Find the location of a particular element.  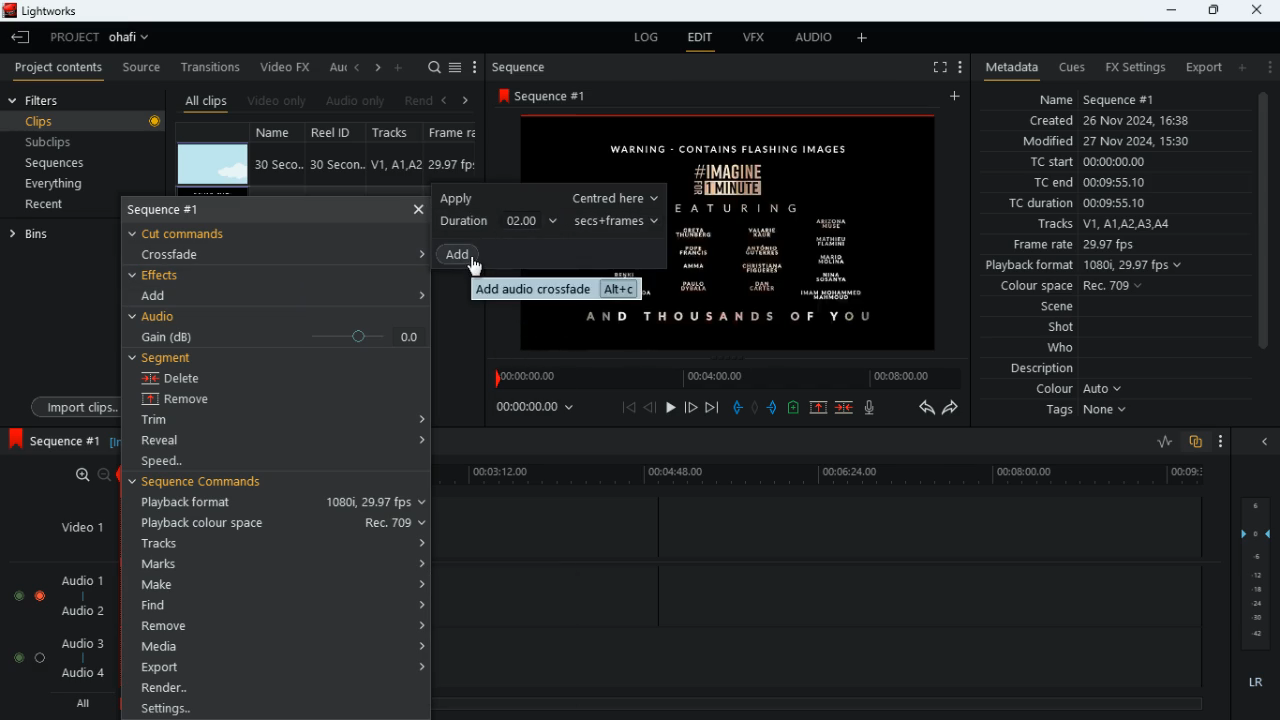

rate is located at coordinates (1158, 442).